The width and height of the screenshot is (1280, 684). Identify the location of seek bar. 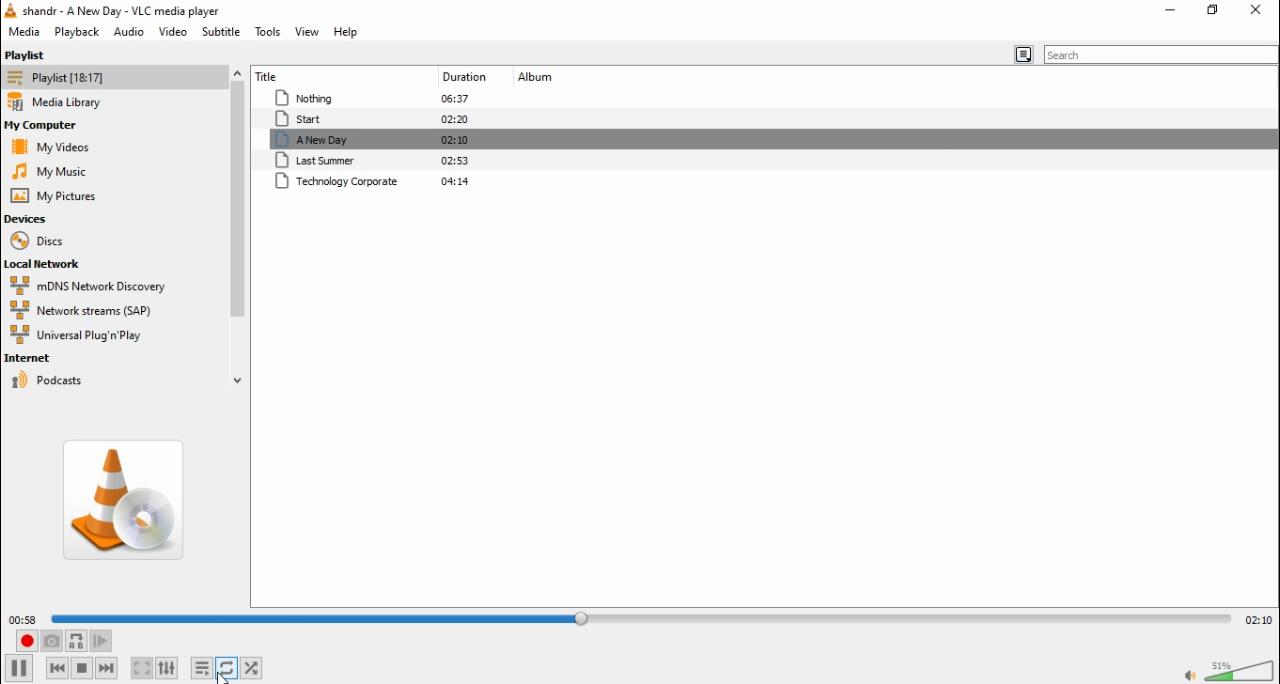
(643, 616).